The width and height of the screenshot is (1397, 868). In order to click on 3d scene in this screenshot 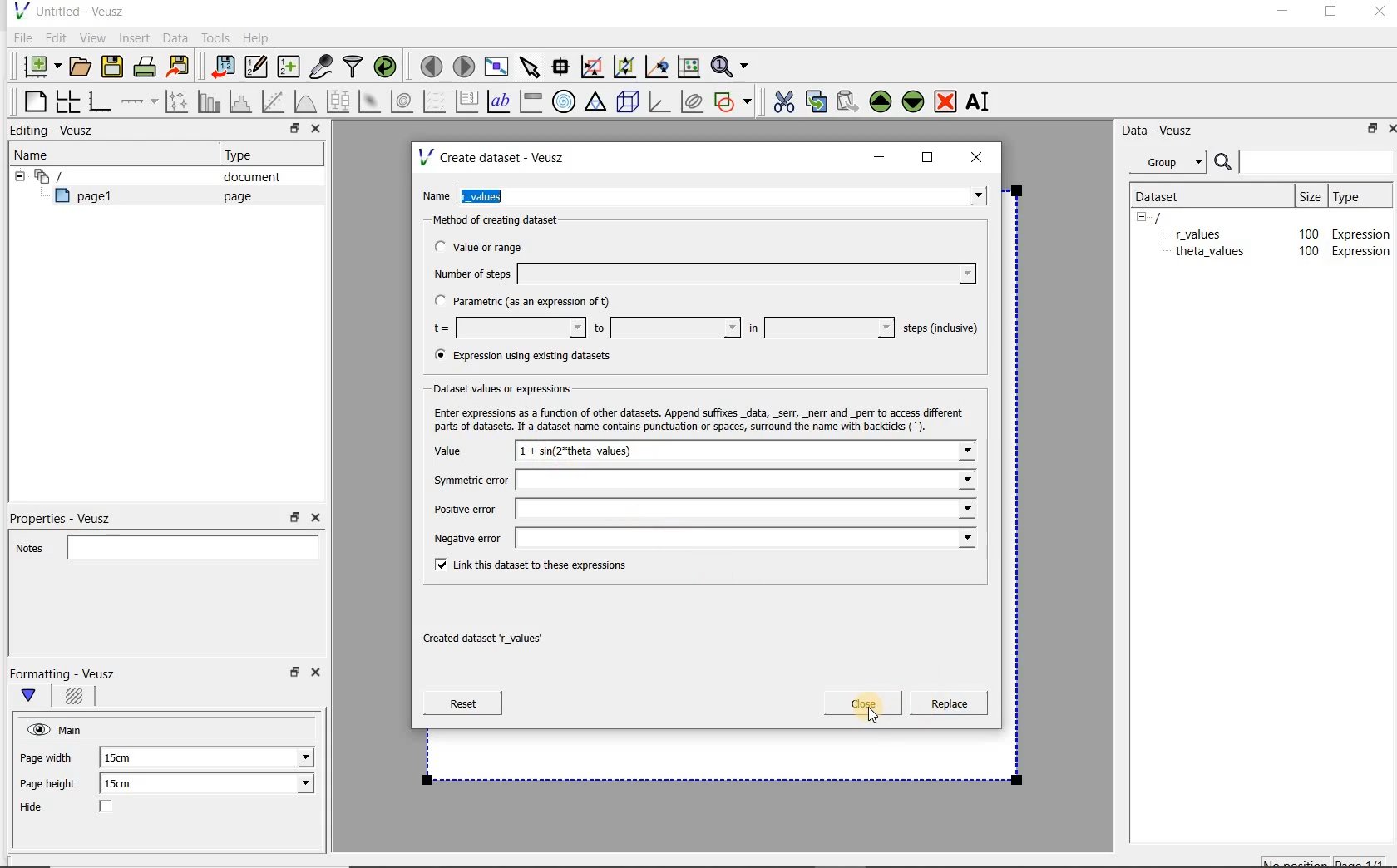, I will do `click(629, 103)`.